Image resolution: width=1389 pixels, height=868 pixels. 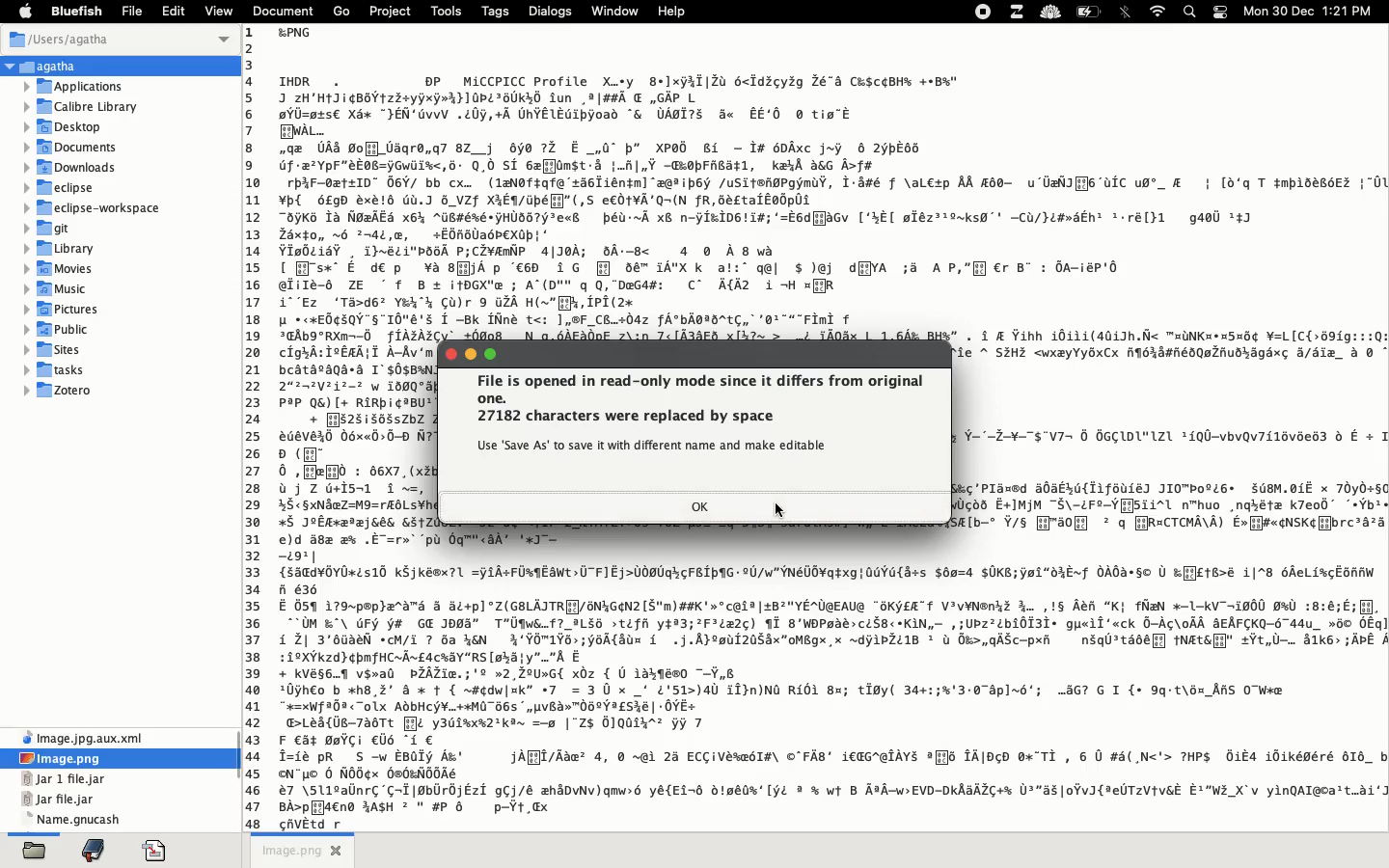 I want to click on ok, so click(x=694, y=503).